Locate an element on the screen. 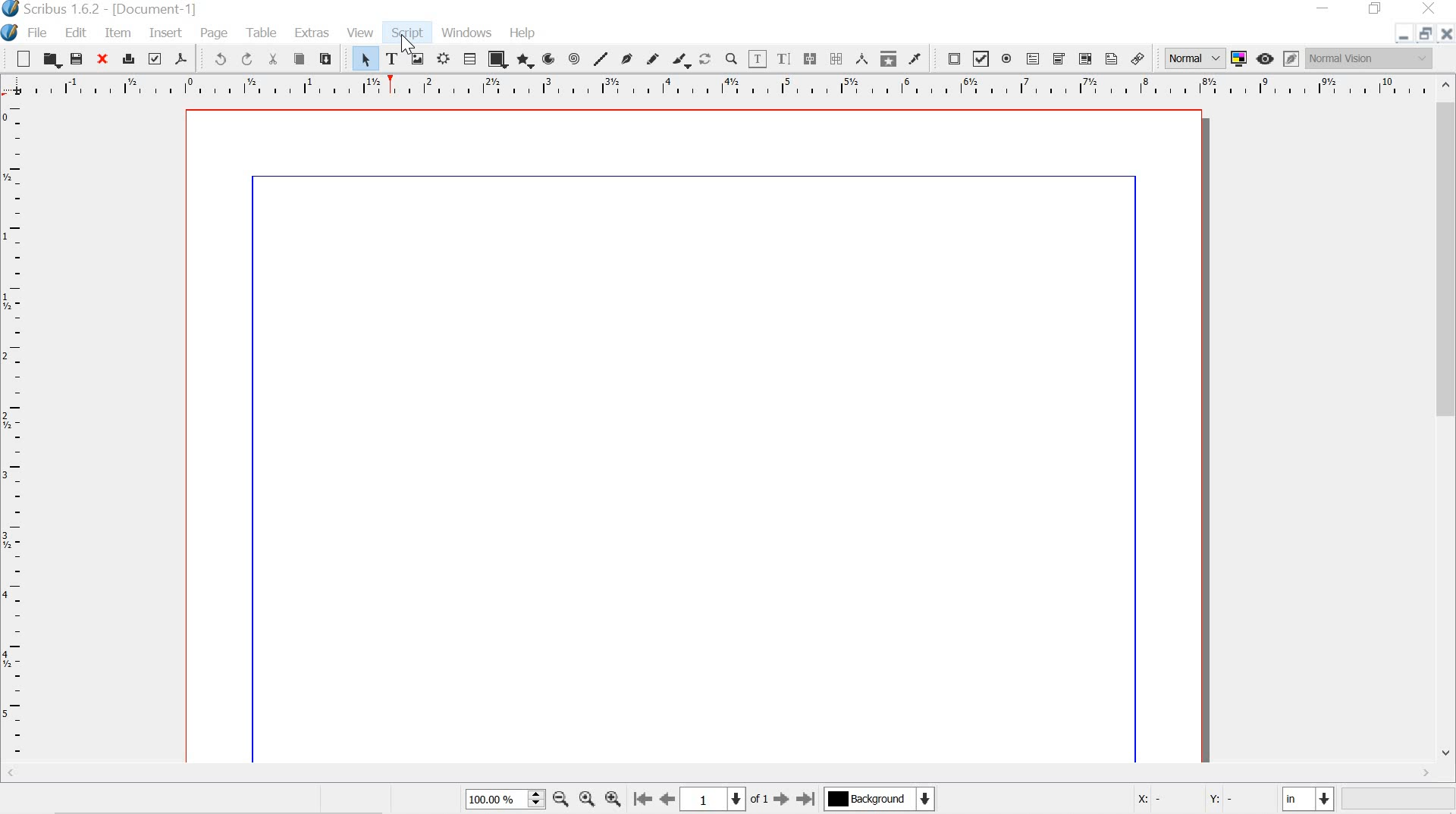 This screenshot has width=1456, height=814. link text frames is located at coordinates (810, 58).